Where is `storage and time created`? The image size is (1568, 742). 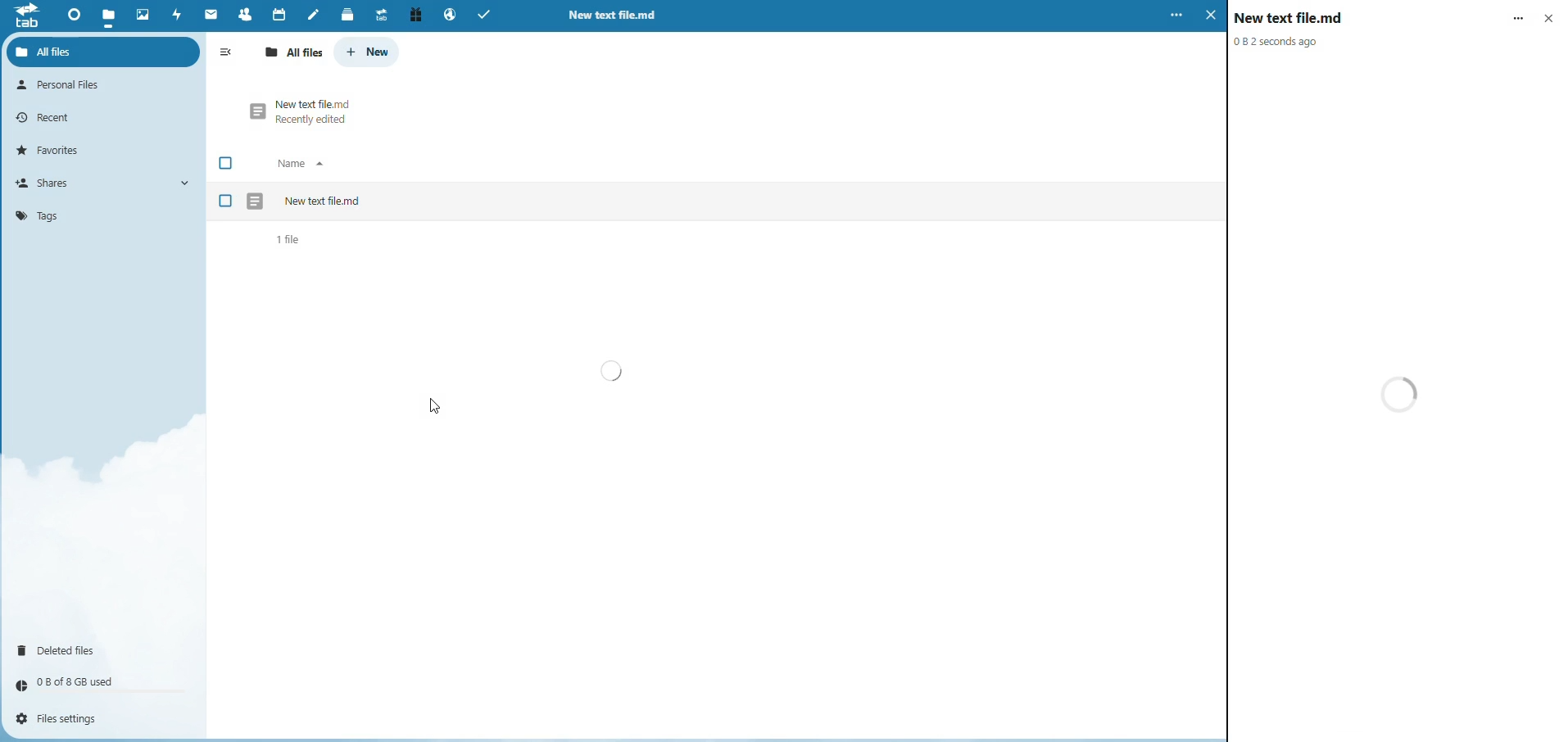
storage and time created is located at coordinates (1279, 41).